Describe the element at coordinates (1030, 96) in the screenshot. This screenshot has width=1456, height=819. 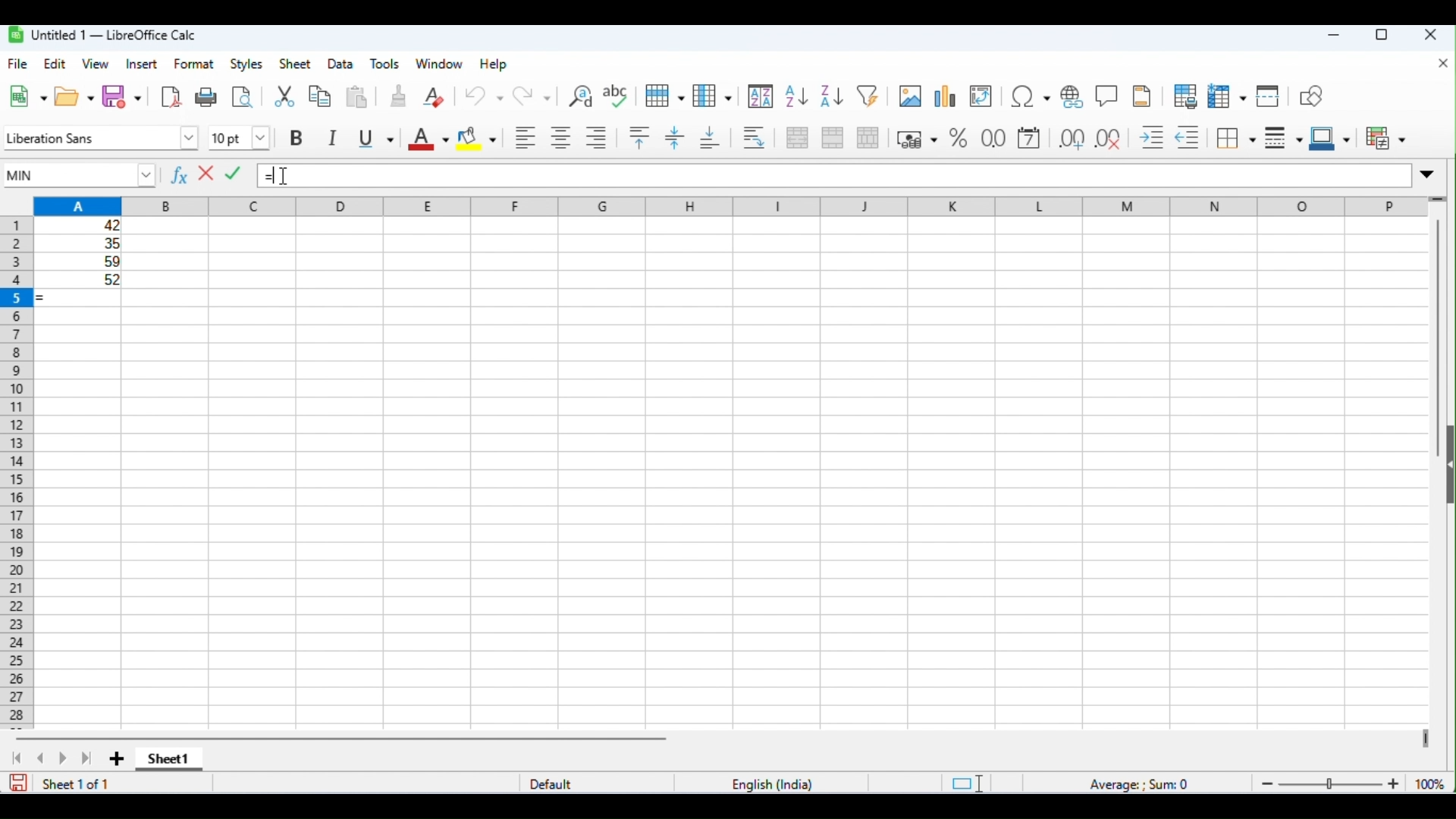
I see `insert special characters` at that location.